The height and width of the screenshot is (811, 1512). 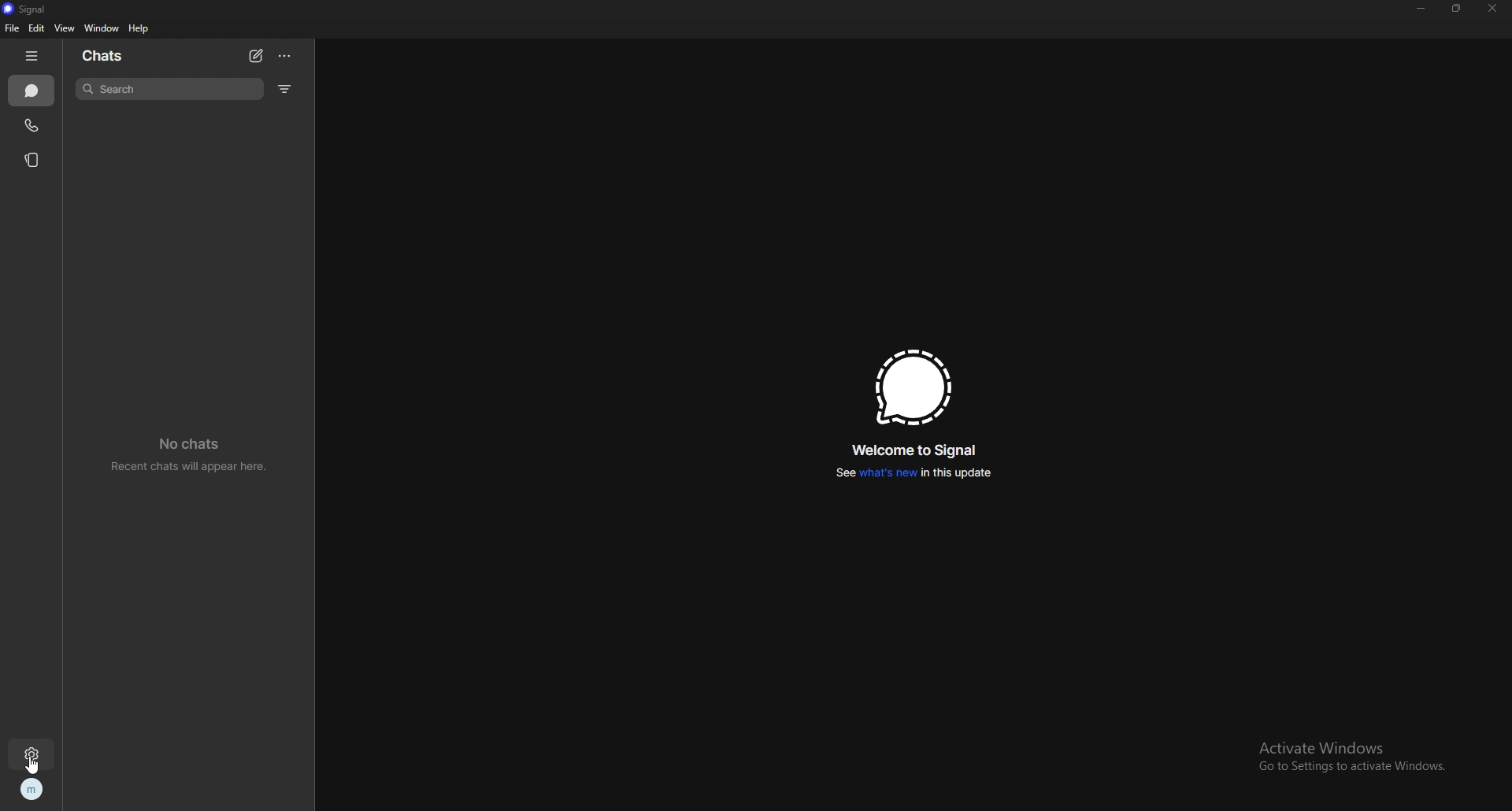 I want to click on see whats new in this update, so click(x=913, y=472).